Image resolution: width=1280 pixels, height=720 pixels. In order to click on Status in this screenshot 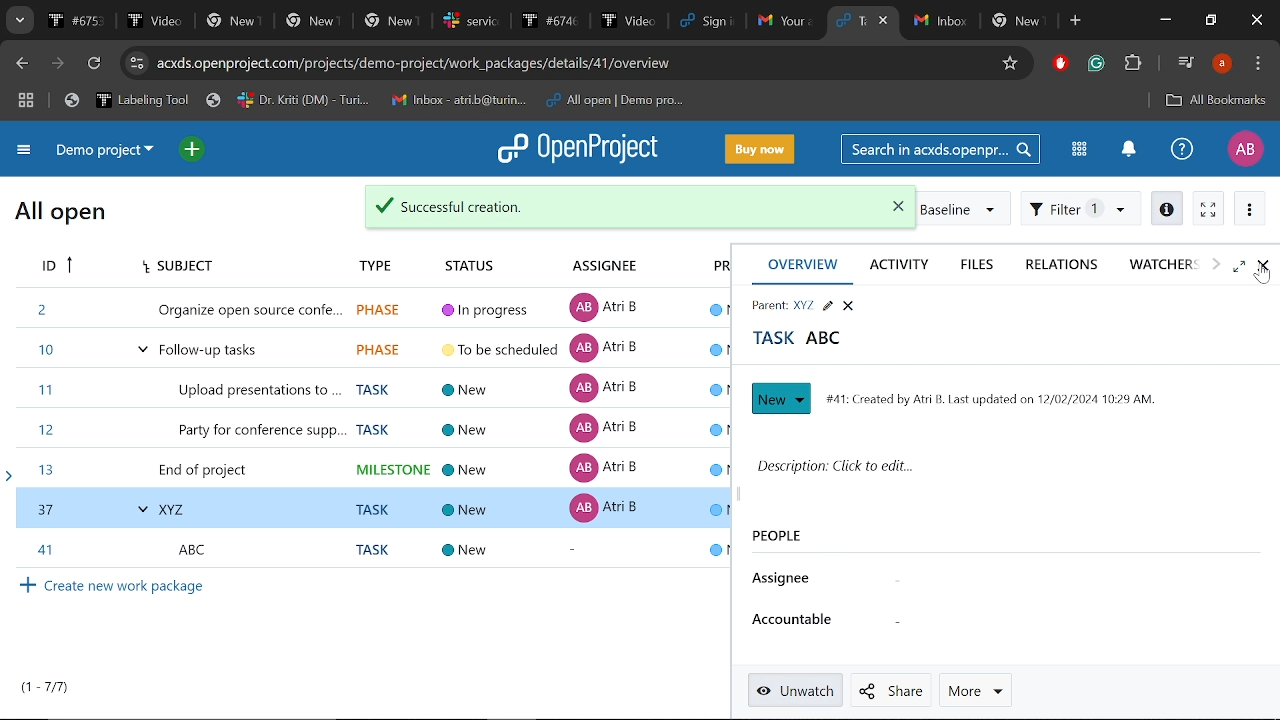, I will do `click(478, 261)`.